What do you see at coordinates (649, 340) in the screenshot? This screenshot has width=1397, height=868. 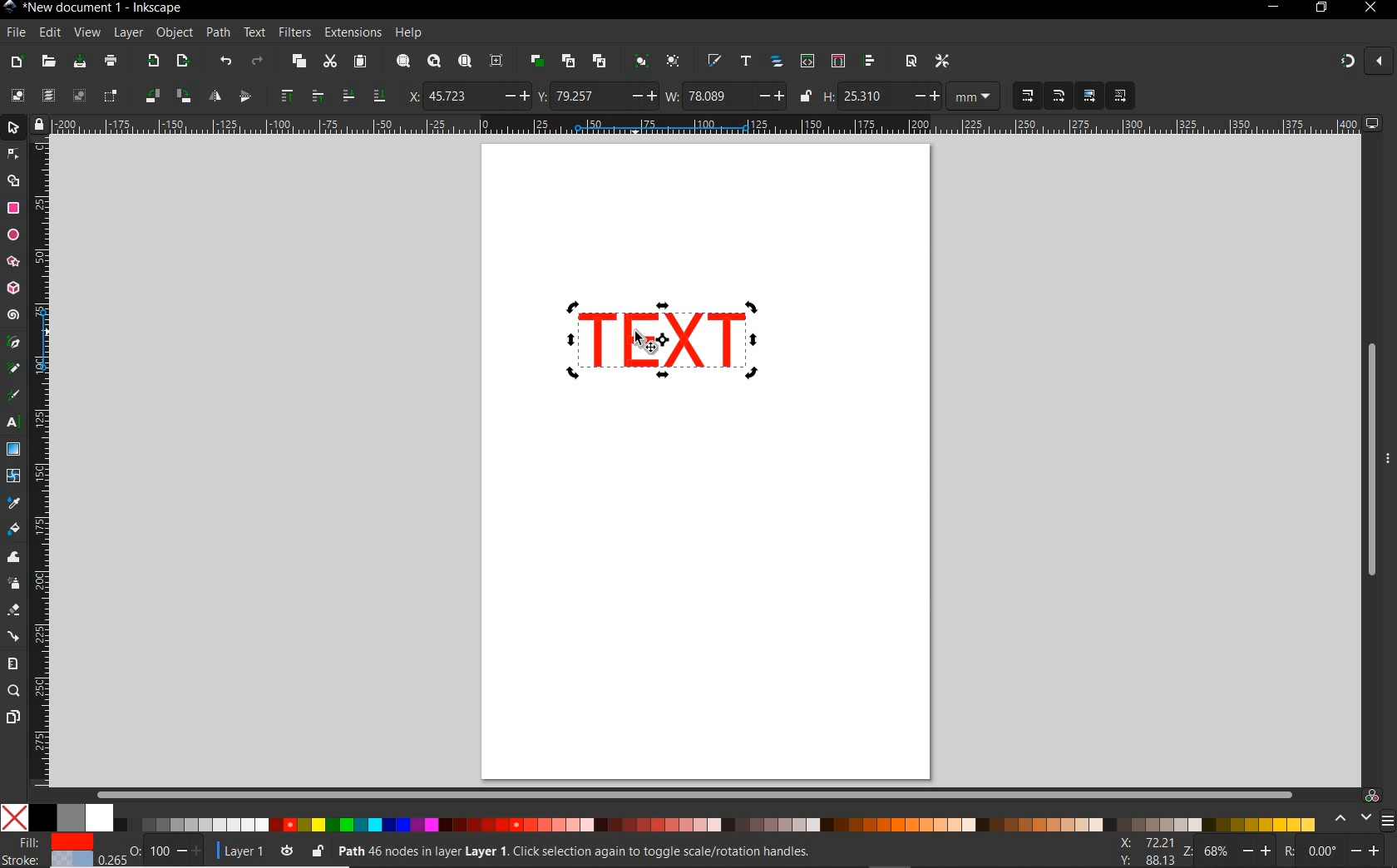 I see `cursor` at bounding box center [649, 340].